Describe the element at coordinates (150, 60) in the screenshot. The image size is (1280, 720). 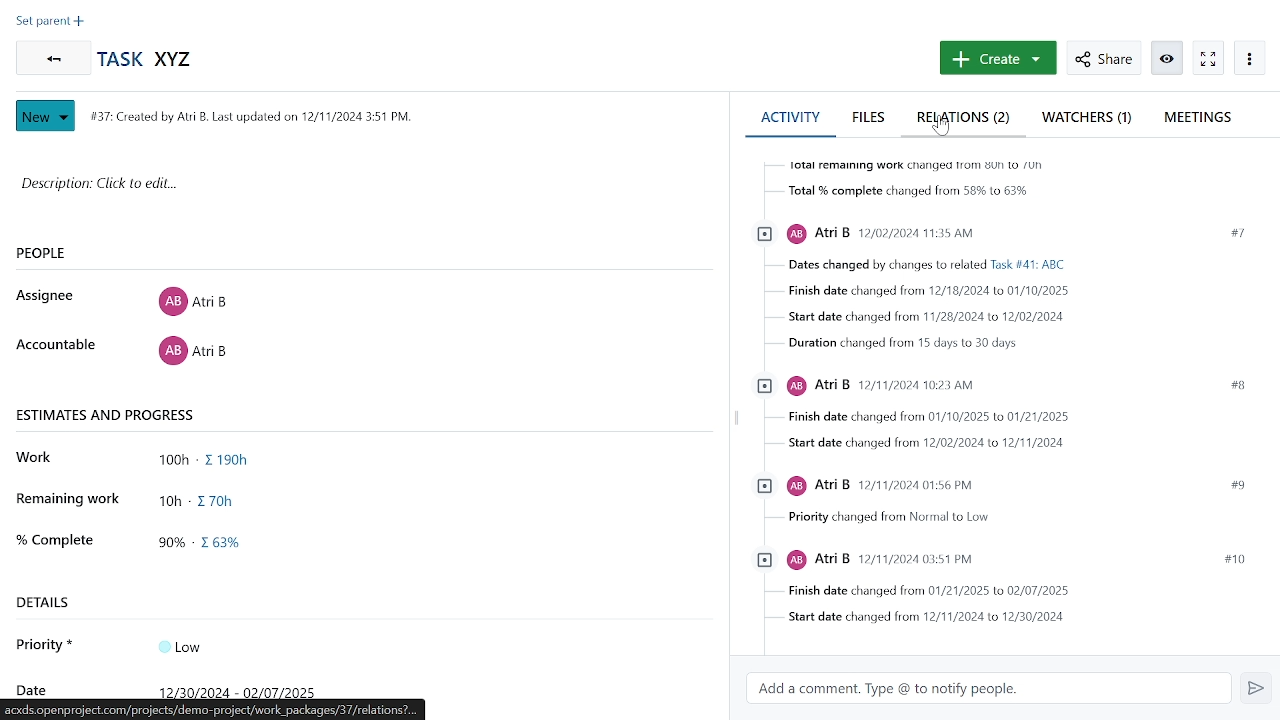
I see `task name` at that location.